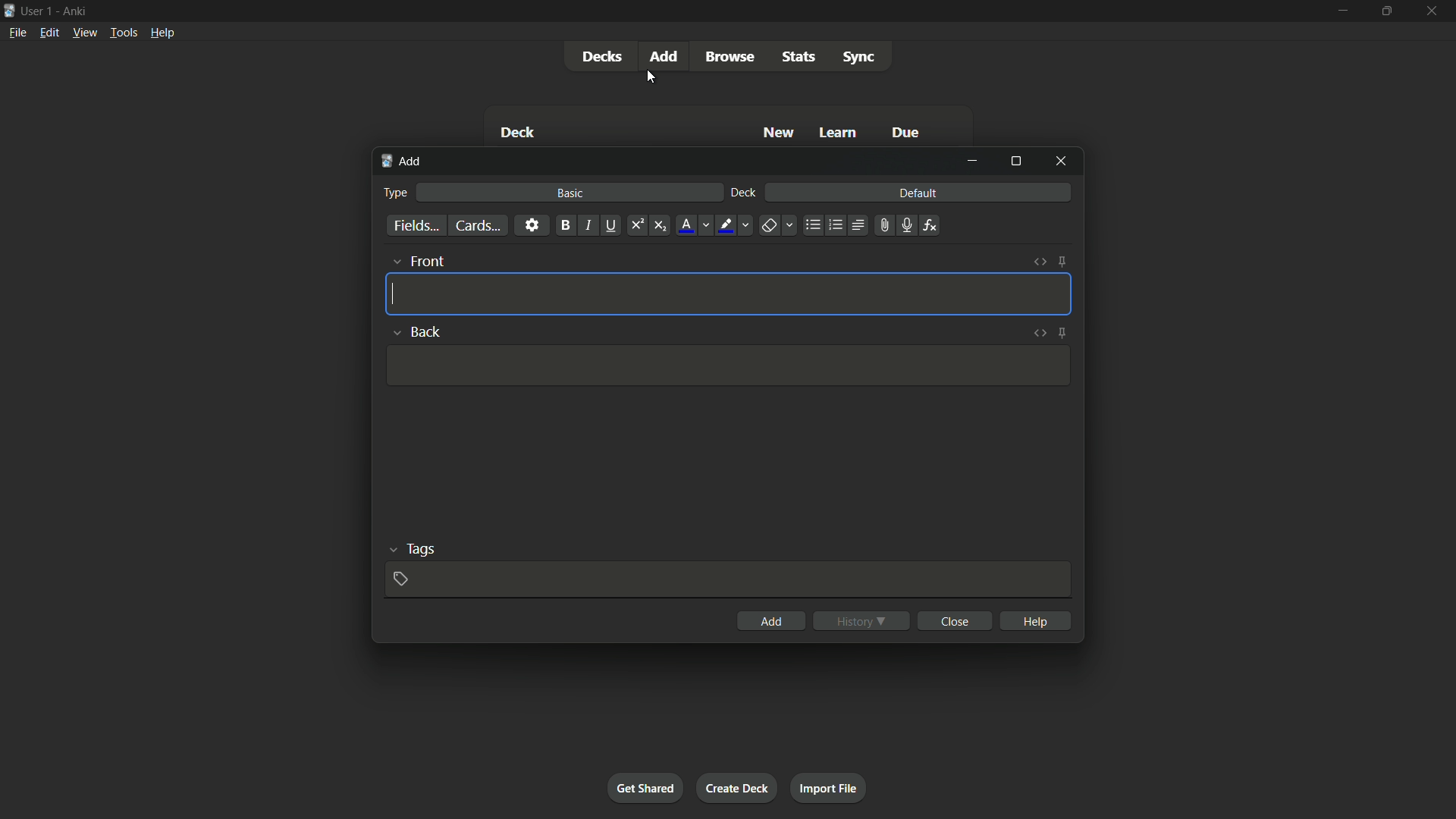 The width and height of the screenshot is (1456, 819). What do you see at coordinates (50, 32) in the screenshot?
I see `edit menu` at bounding box center [50, 32].